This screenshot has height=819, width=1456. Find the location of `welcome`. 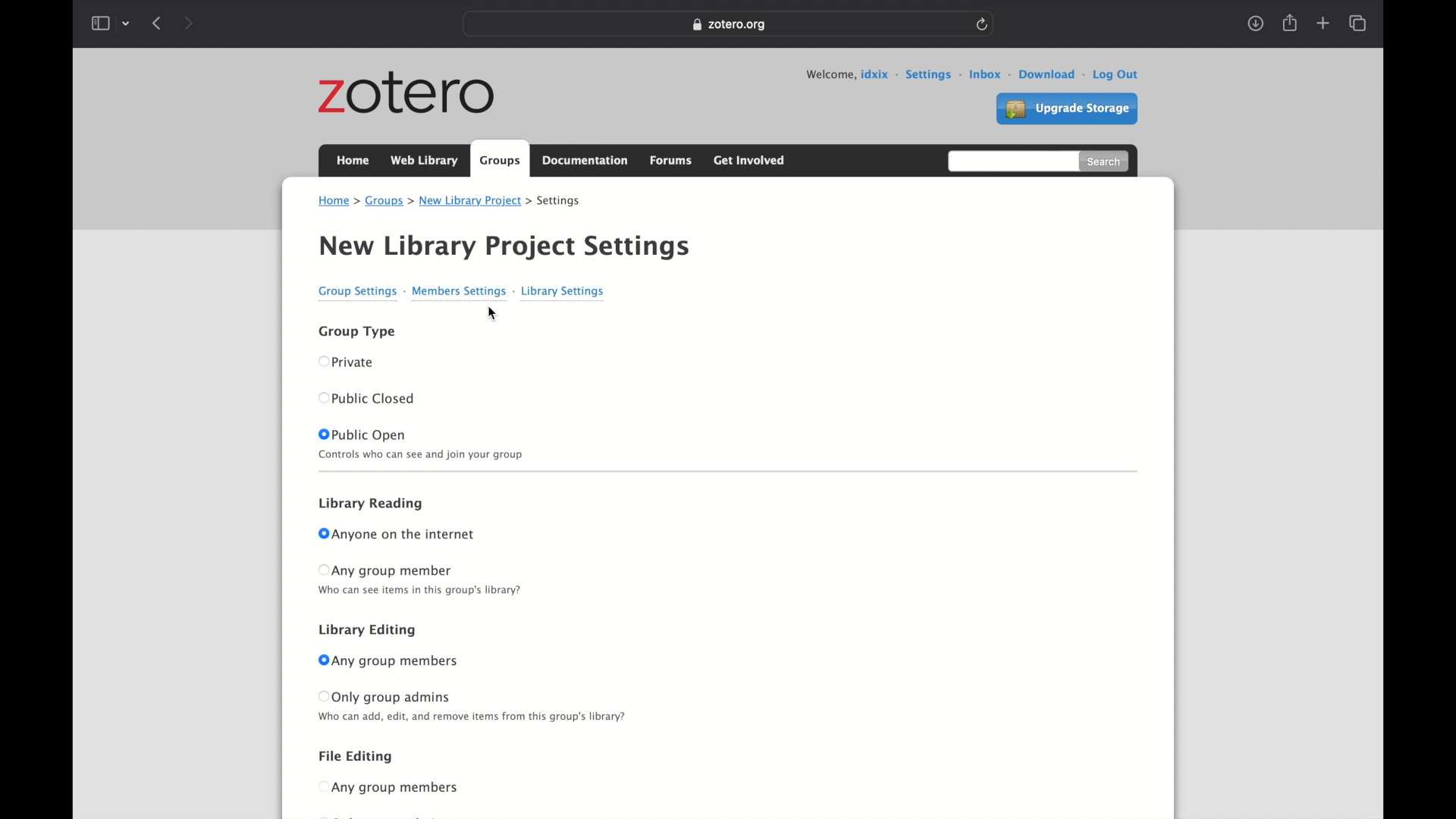

welcome is located at coordinates (830, 74).